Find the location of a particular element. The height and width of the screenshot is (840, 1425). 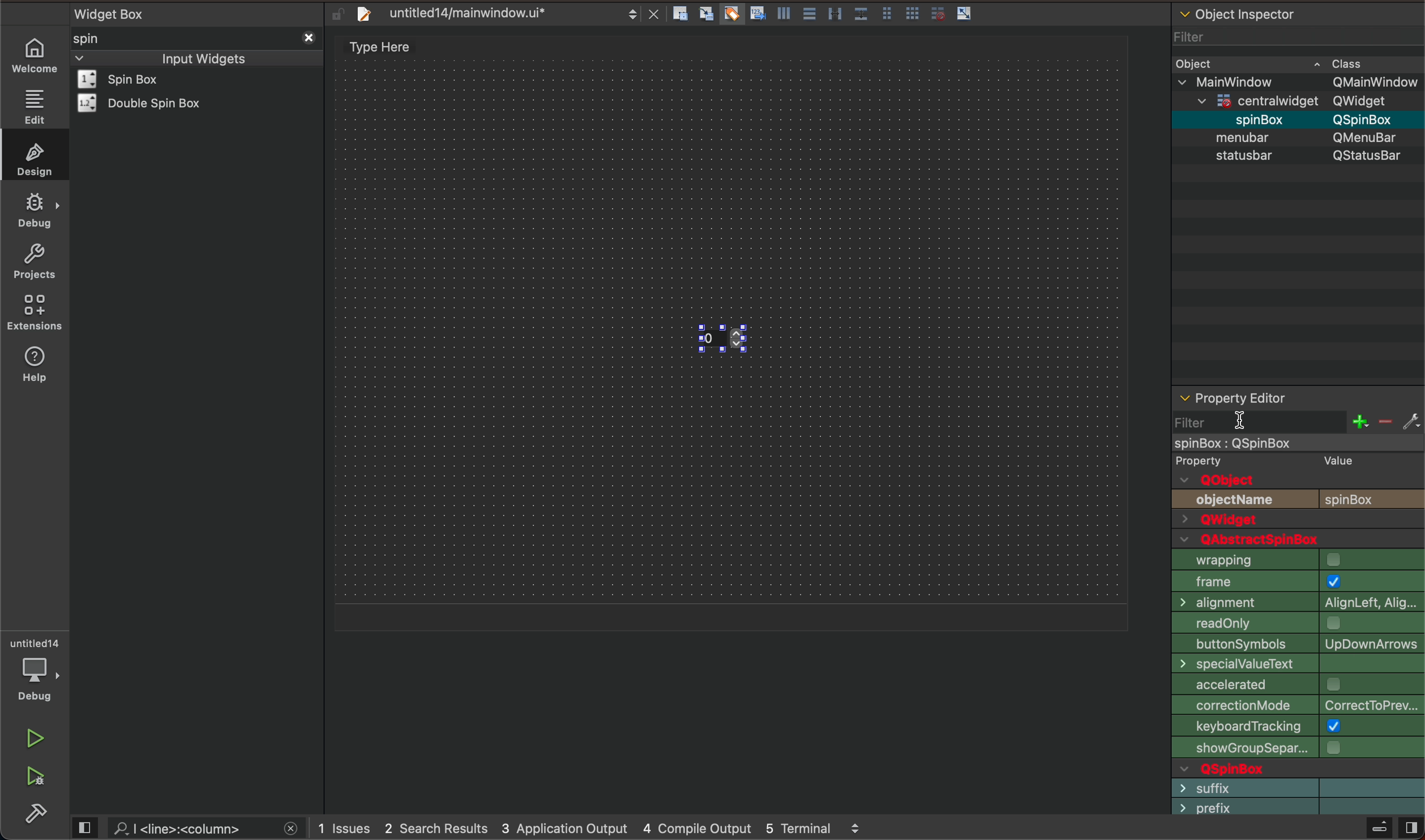

filter is located at coordinates (1192, 33).